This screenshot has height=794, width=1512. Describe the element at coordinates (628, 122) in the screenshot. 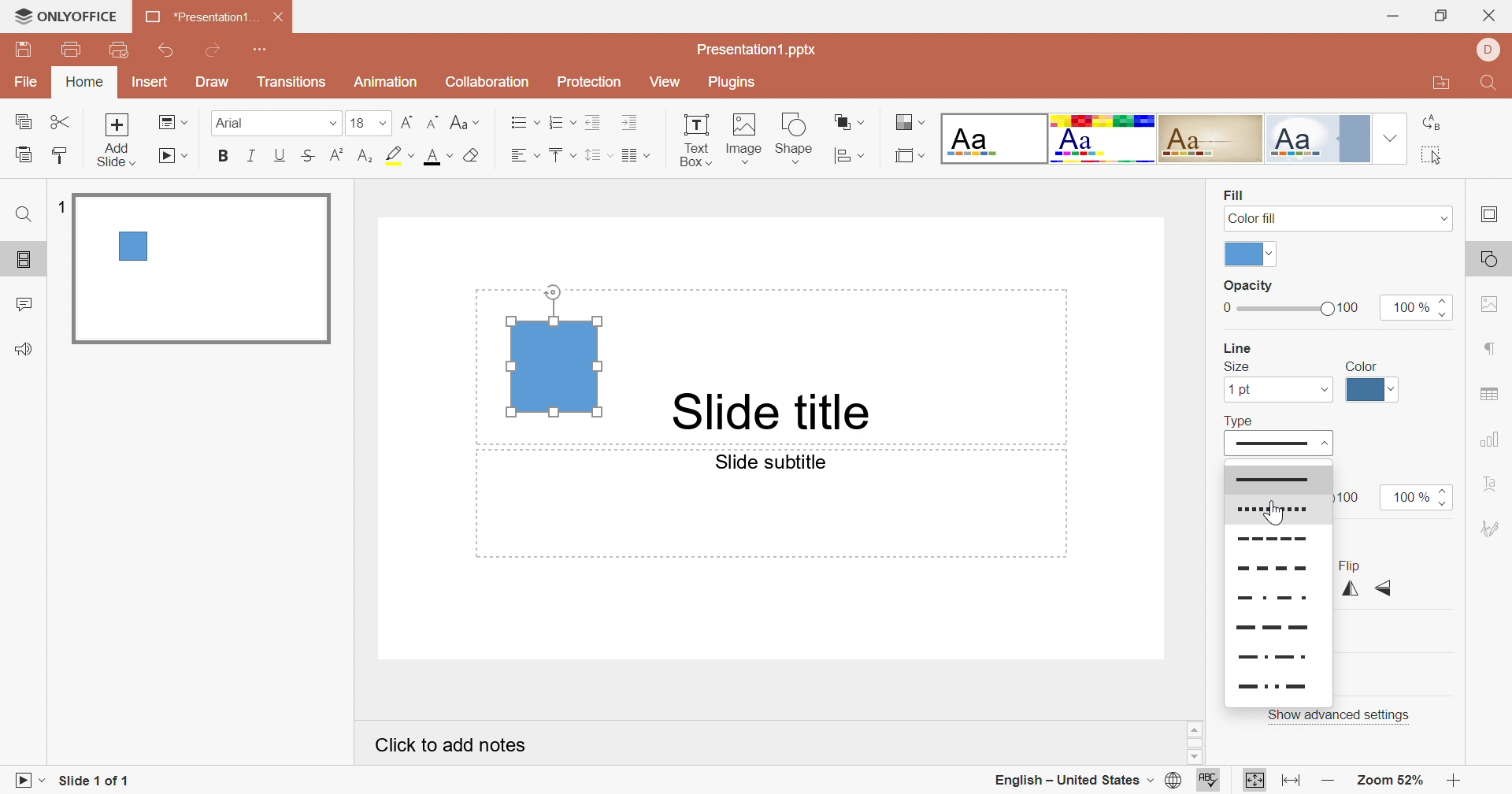

I see `Increase Indent` at that location.